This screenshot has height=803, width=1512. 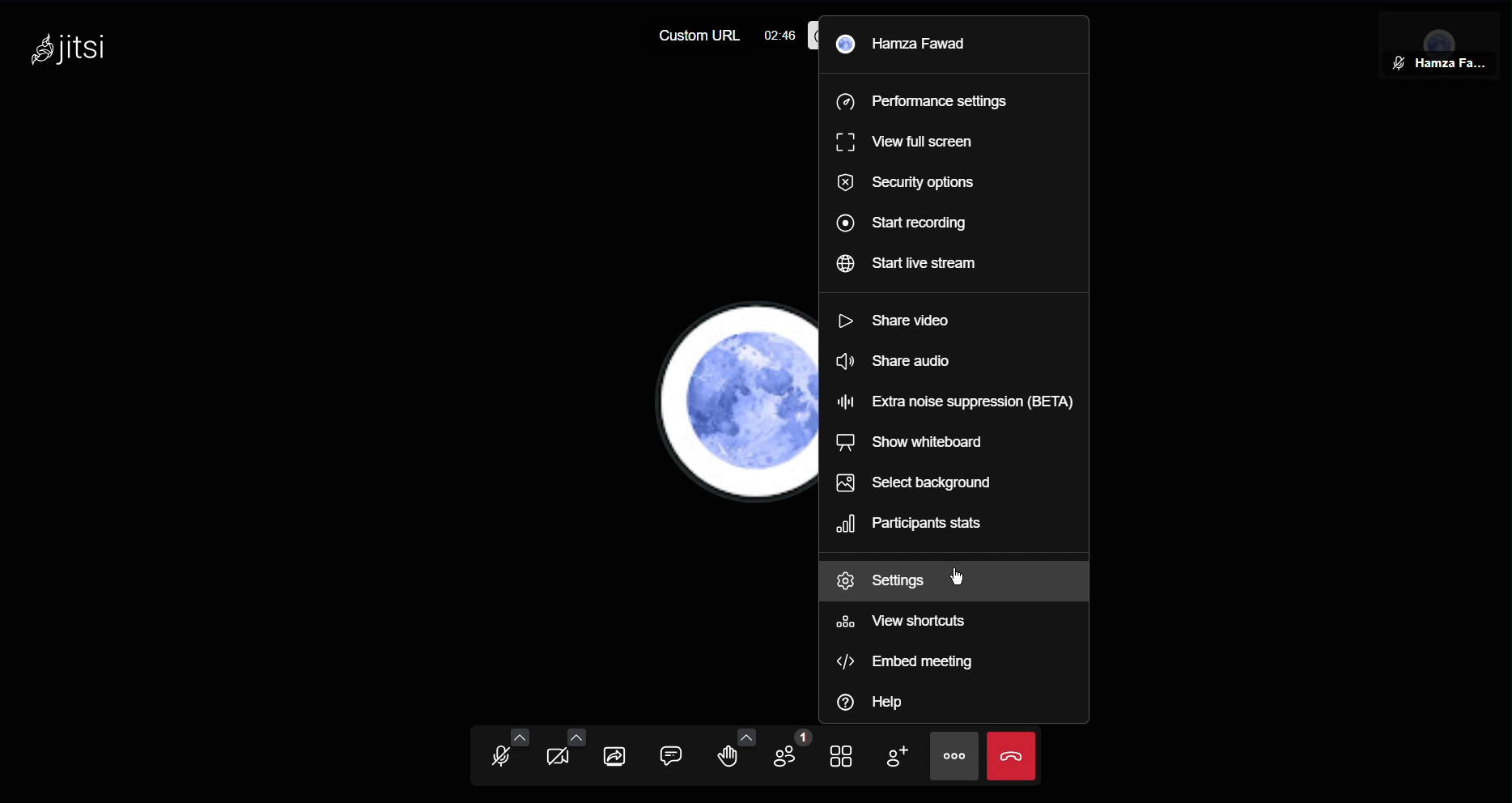 I want to click on Extra noise suppression, so click(x=958, y=401).